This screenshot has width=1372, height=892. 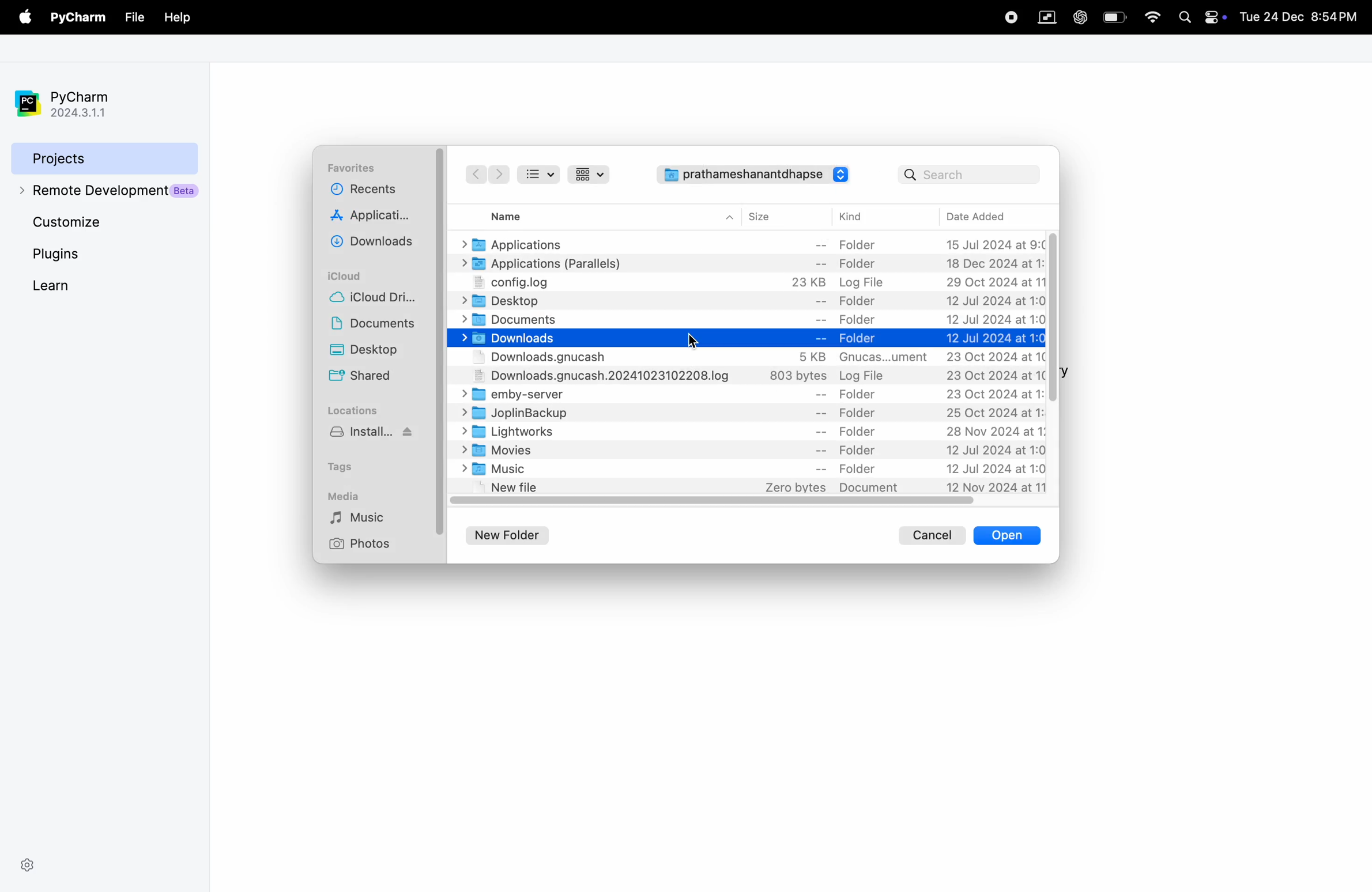 What do you see at coordinates (101, 157) in the screenshot?
I see `projects` at bounding box center [101, 157].